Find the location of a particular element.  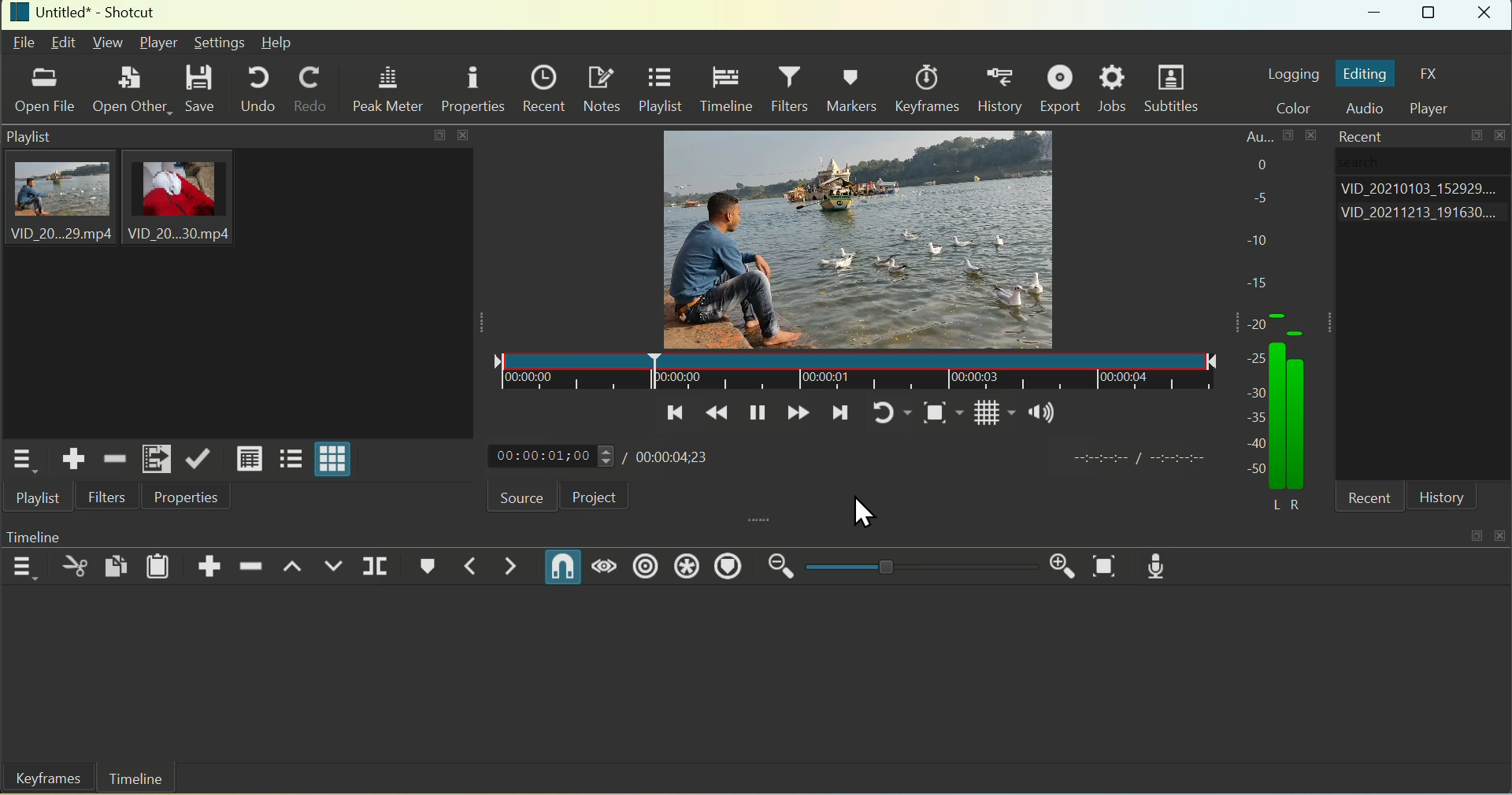

Keyframes is located at coordinates (43, 780).